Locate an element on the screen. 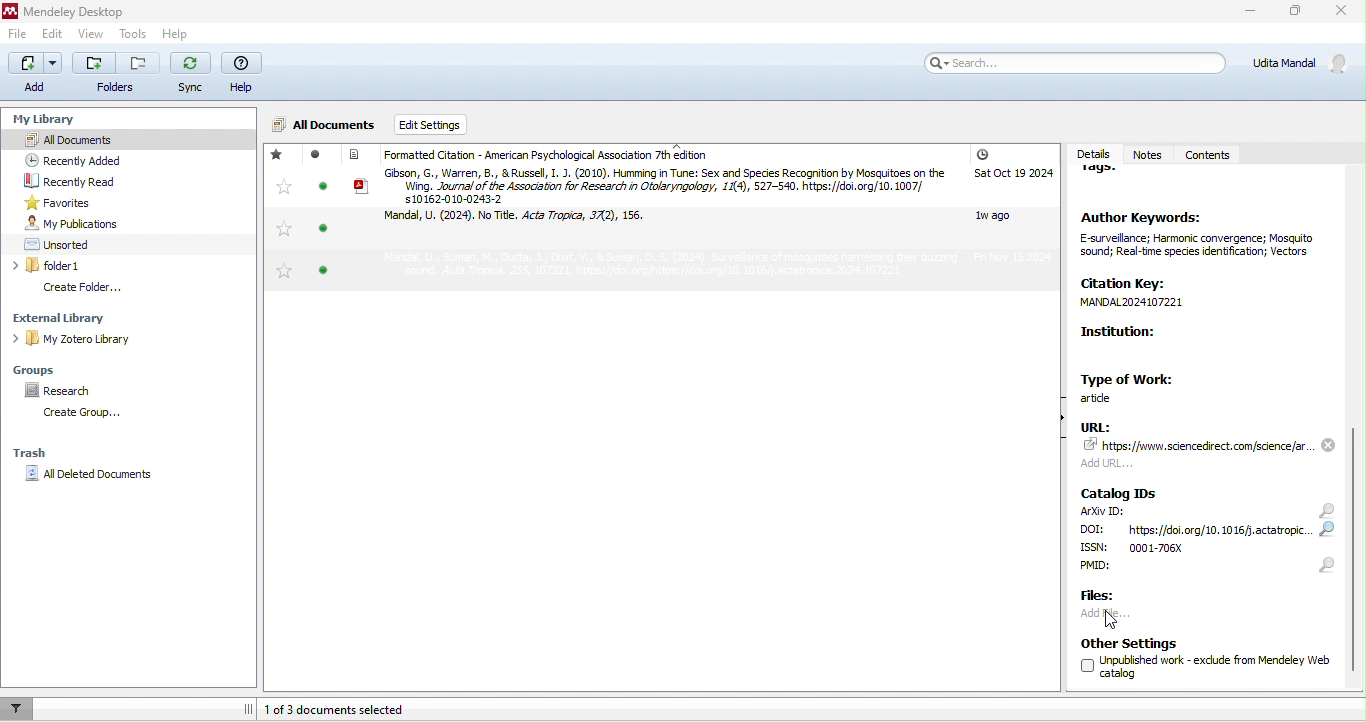 Image resolution: width=1366 pixels, height=722 pixels. recently read is located at coordinates (91, 182).